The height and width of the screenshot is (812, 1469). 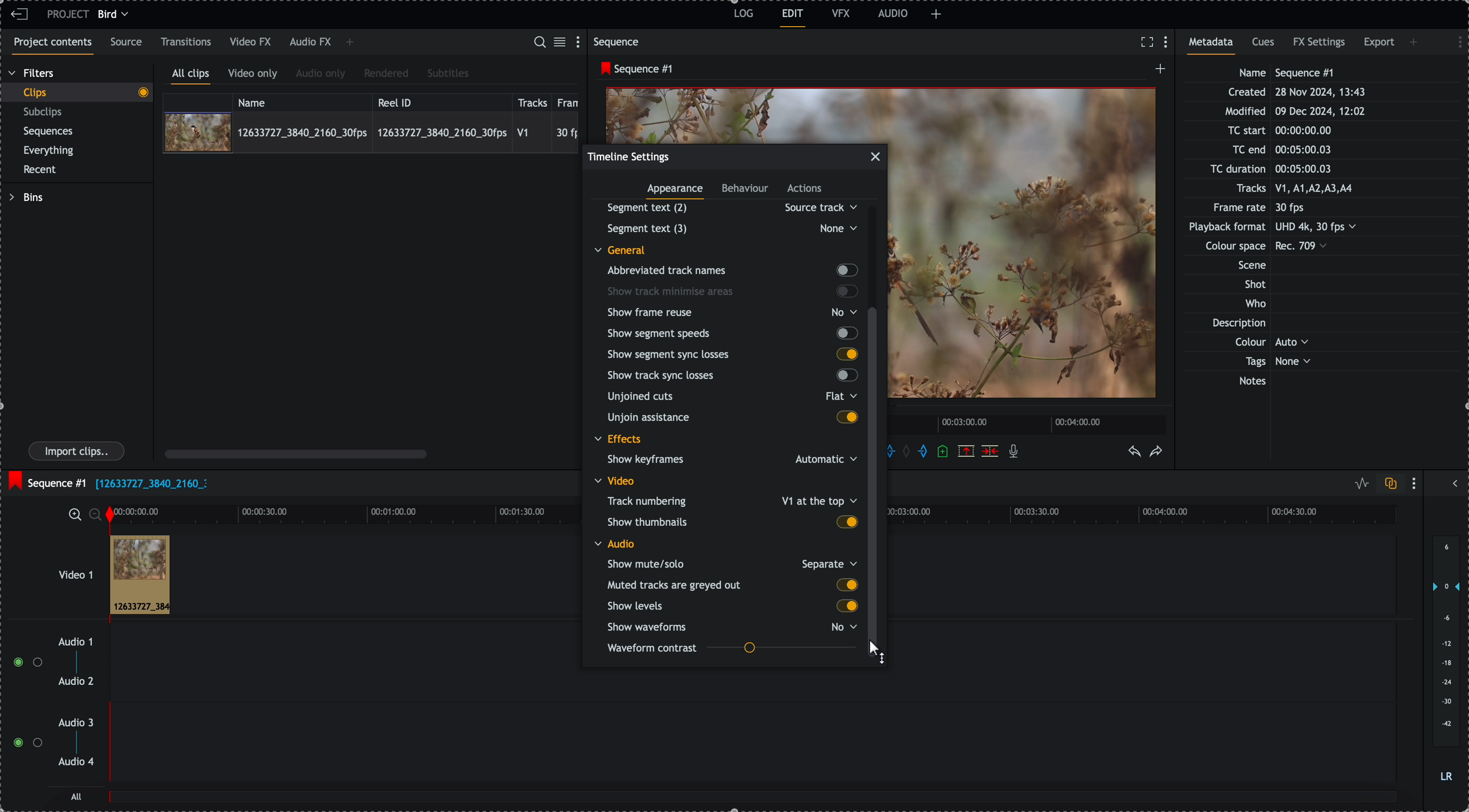 I want to click on FX settings, so click(x=1320, y=44).